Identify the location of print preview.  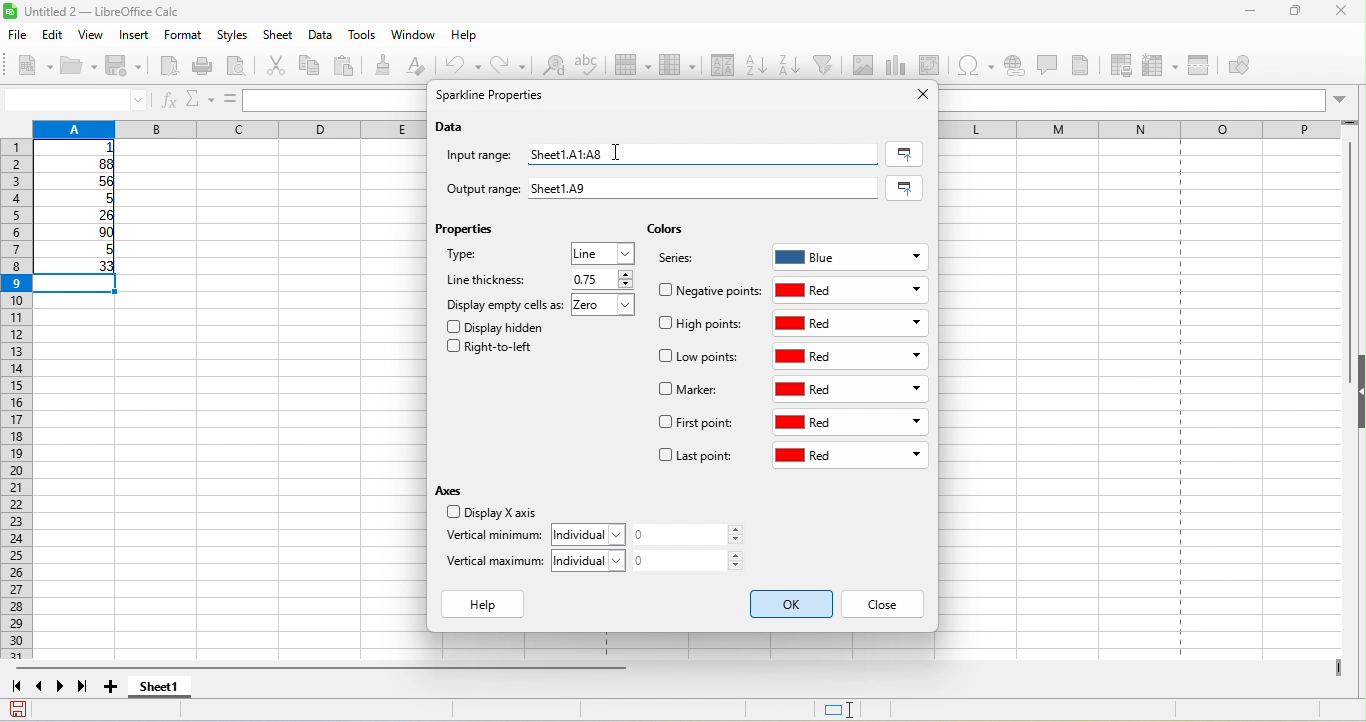
(243, 67).